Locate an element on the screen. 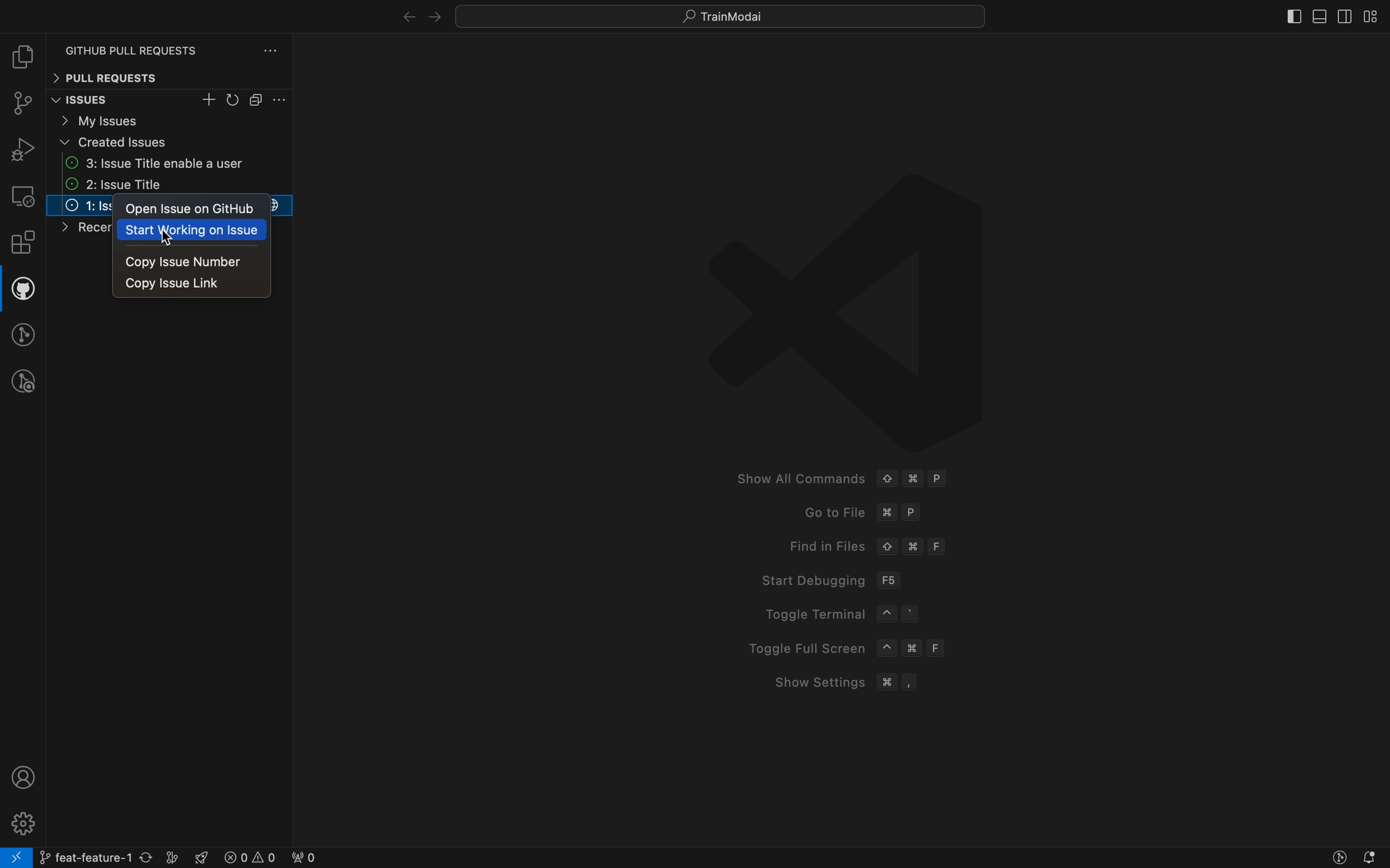 The image size is (1390, 868). issues list is located at coordinates (171, 185).